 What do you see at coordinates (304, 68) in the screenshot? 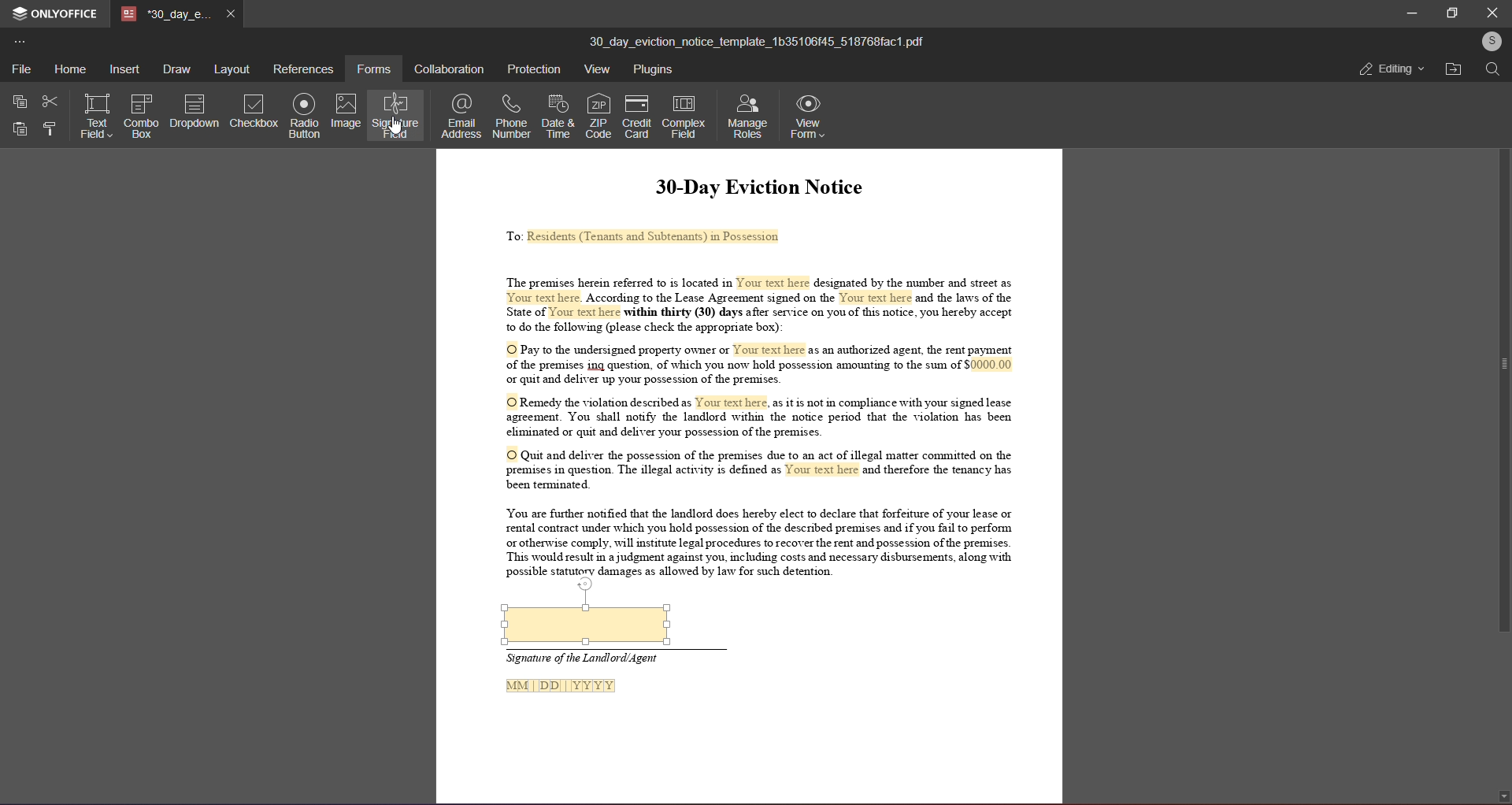
I see `references` at bounding box center [304, 68].